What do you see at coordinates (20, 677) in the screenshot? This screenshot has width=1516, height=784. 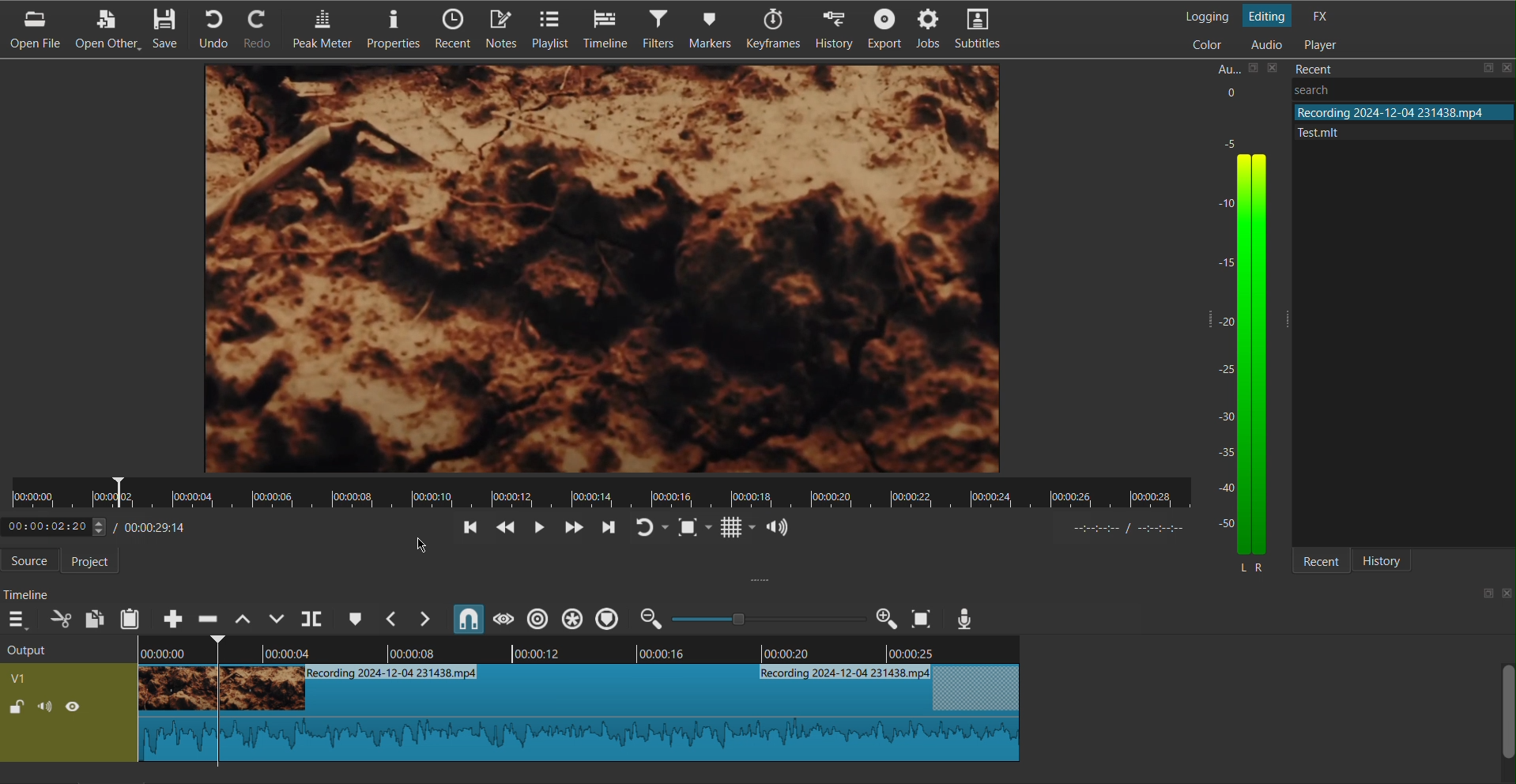 I see `v1` at bounding box center [20, 677].